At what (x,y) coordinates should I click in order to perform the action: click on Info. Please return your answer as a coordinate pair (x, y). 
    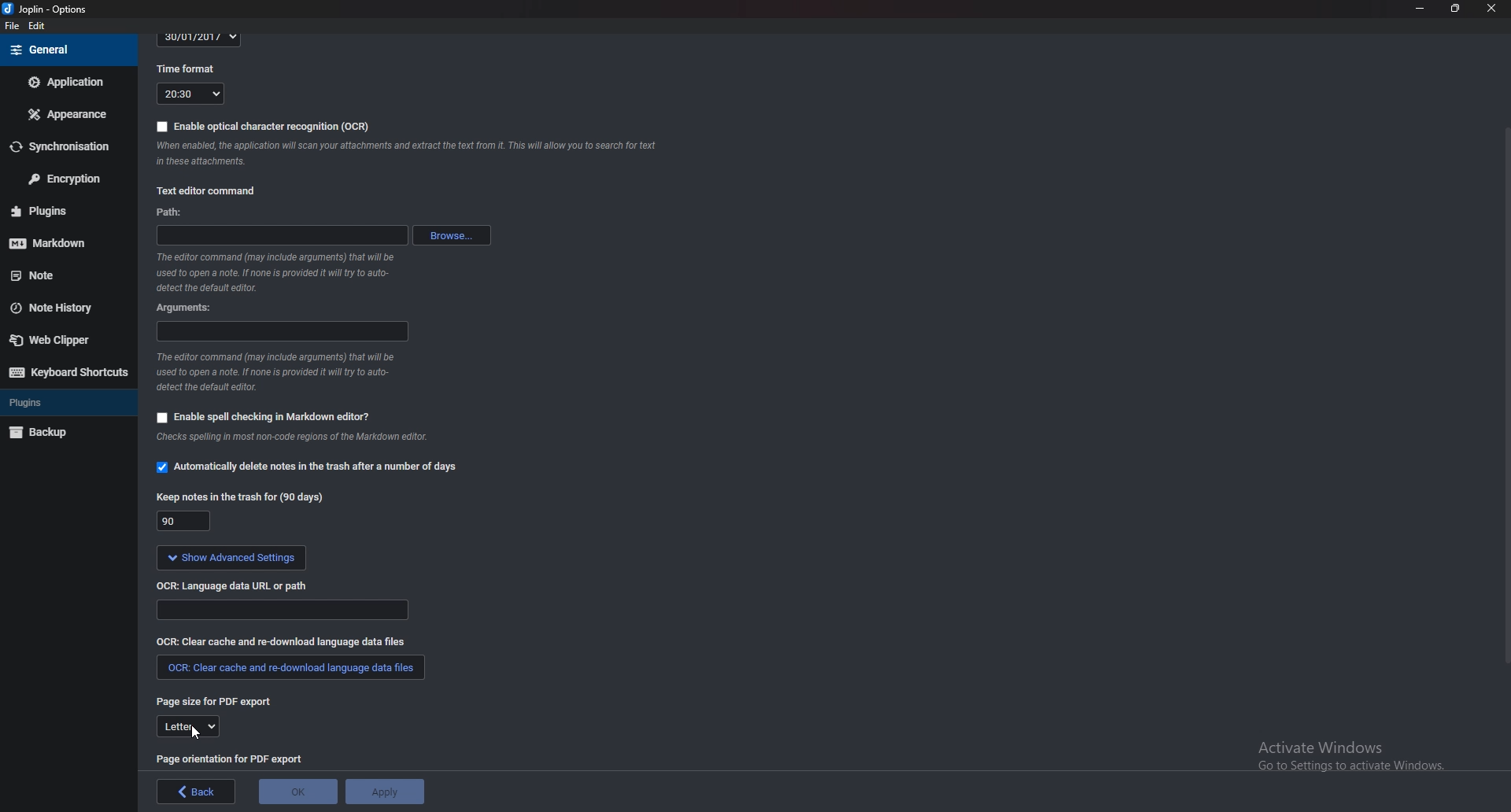
    Looking at the image, I should click on (275, 372).